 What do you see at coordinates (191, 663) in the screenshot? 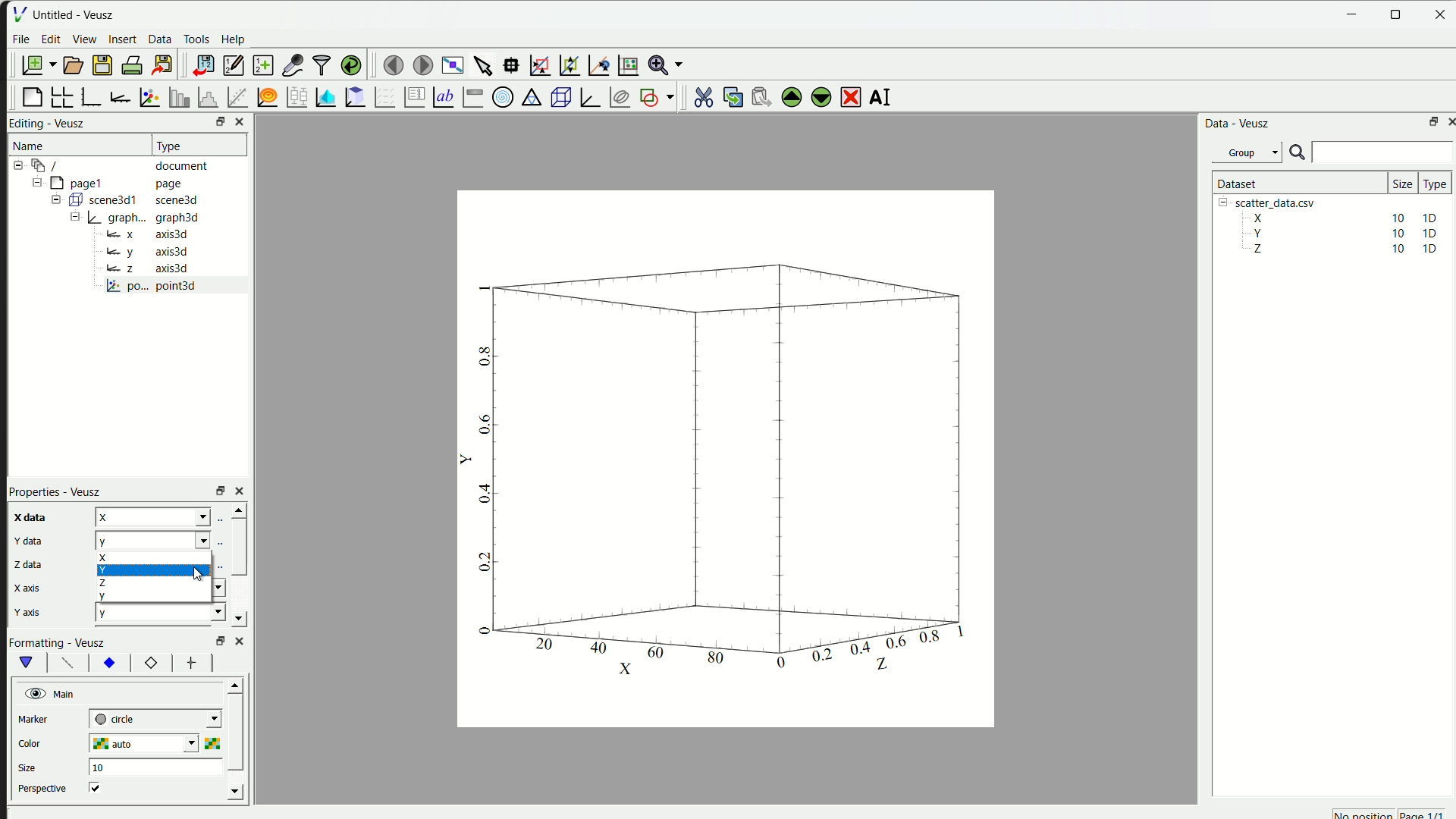
I see `font` at bounding box center [191, 663].